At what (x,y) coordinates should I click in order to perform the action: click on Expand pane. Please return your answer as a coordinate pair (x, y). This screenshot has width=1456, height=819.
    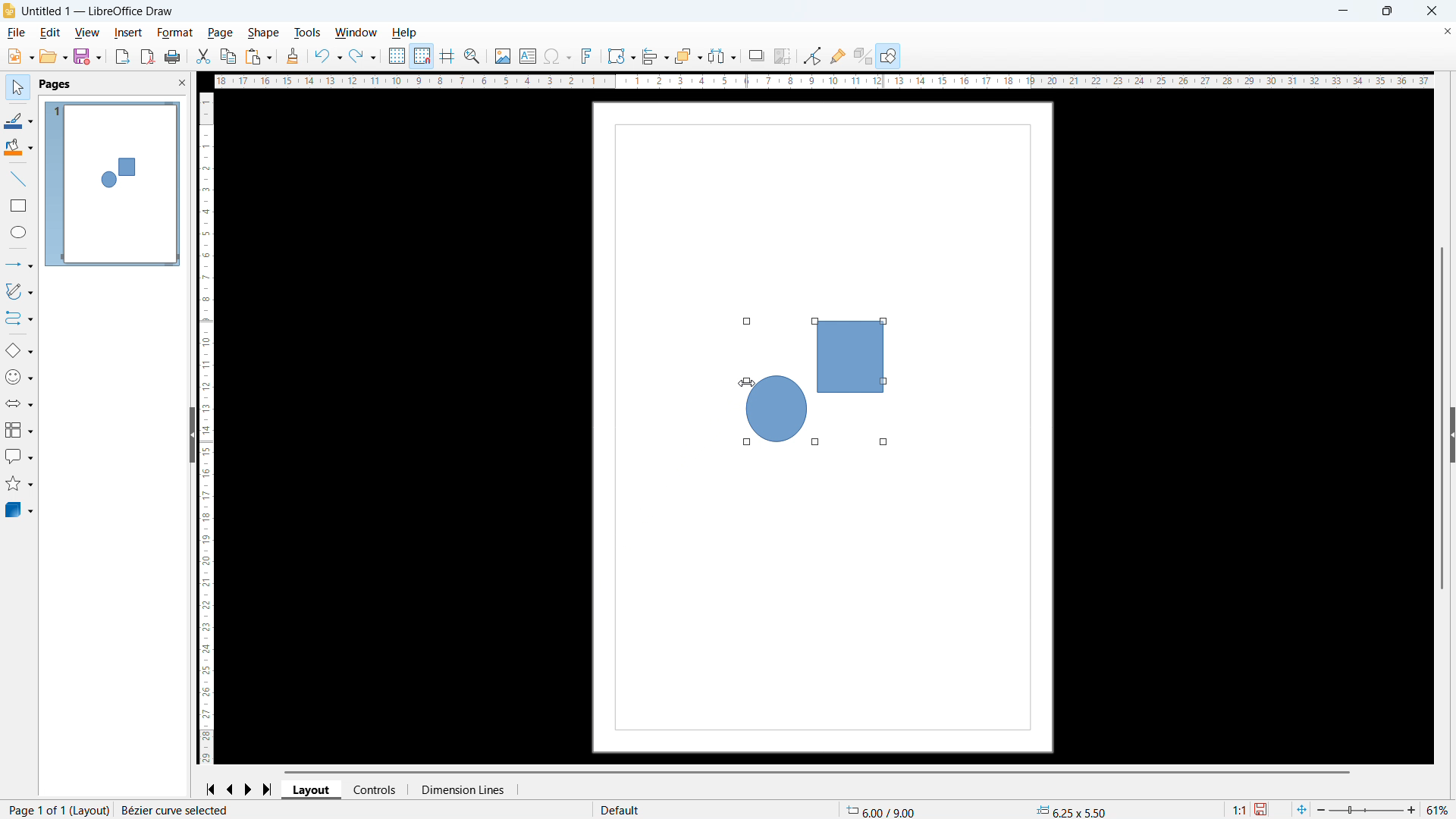
    Looking at the image, I should click on (1453, 435).